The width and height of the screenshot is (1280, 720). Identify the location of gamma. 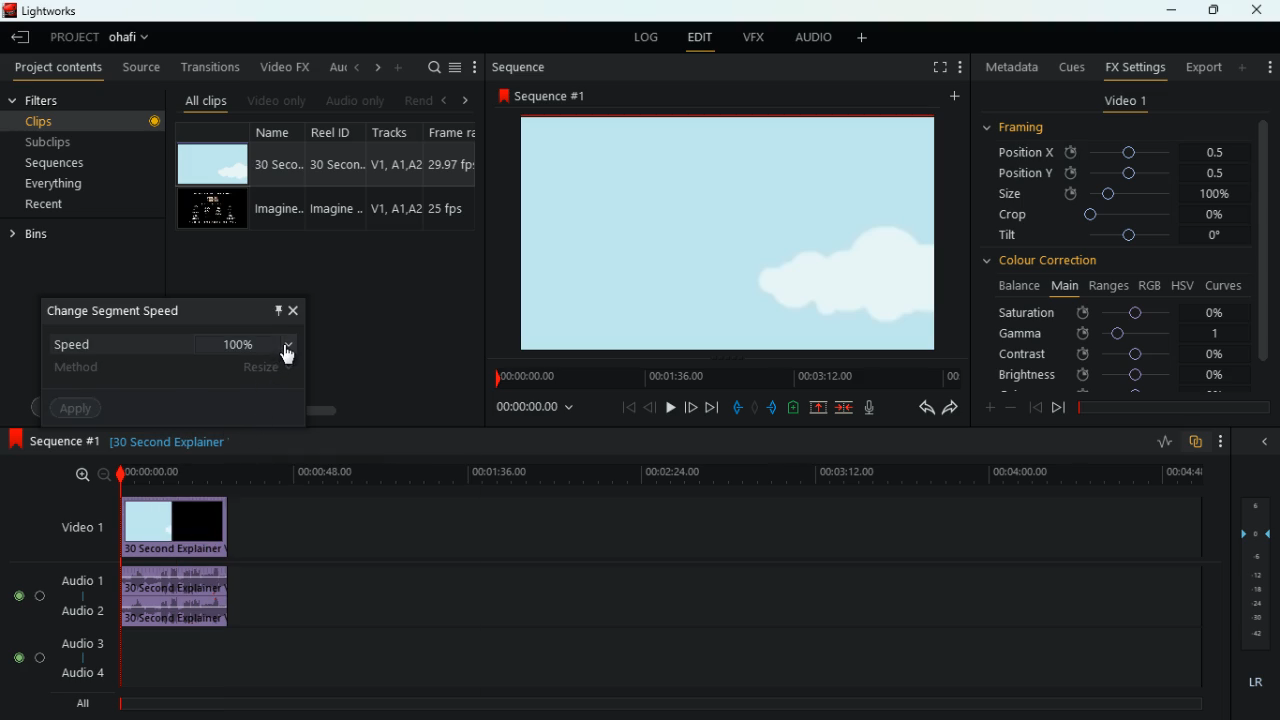
(1118, 332).